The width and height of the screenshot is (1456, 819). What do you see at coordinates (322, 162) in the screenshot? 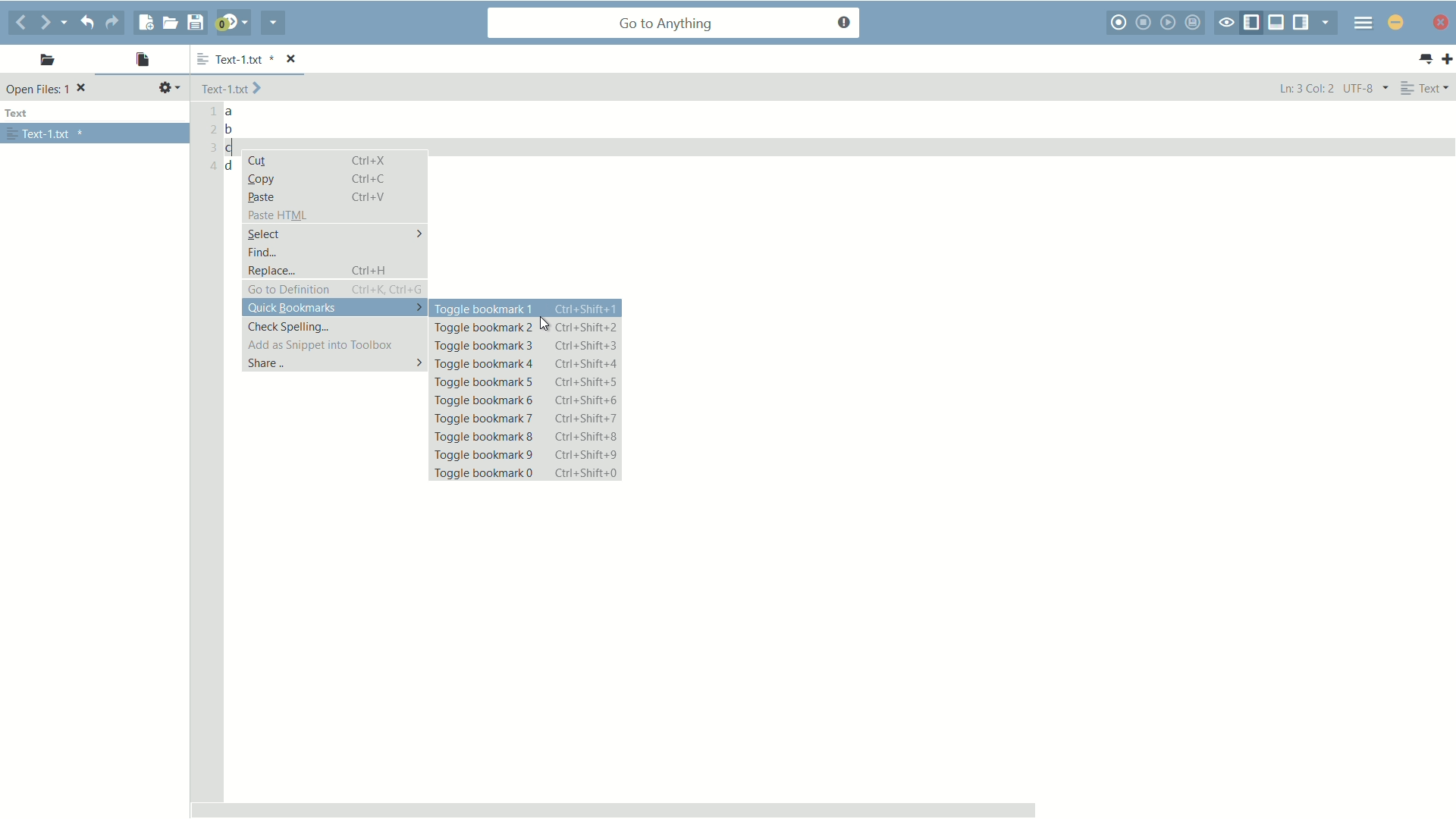
I see `cut ctrl+X` at bounding box center [322, 162].